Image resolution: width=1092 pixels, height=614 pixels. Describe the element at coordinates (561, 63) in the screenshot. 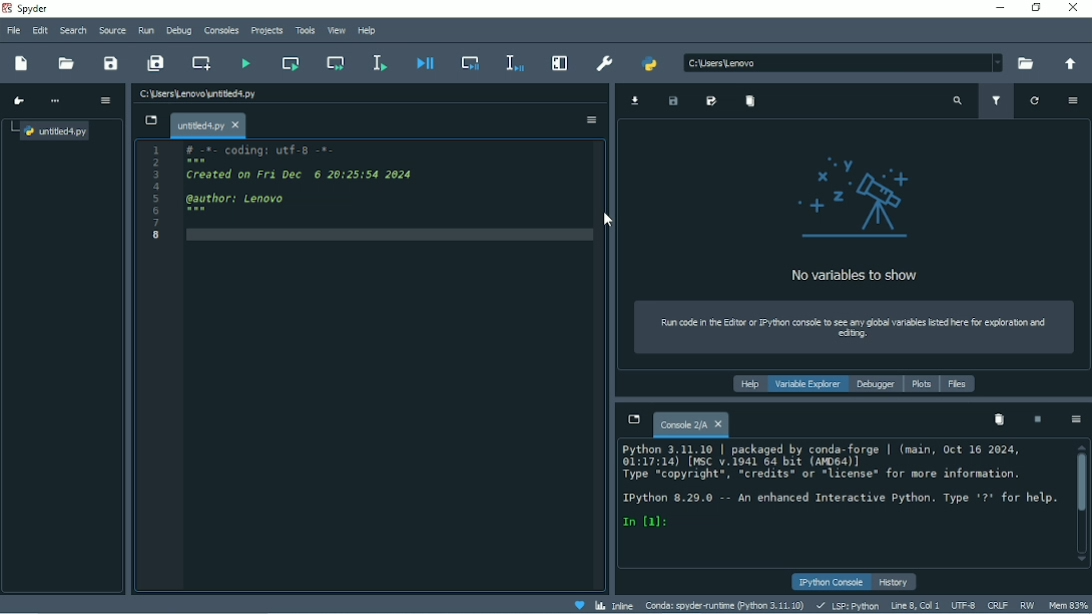

I see `Maximize current pane` at that location.